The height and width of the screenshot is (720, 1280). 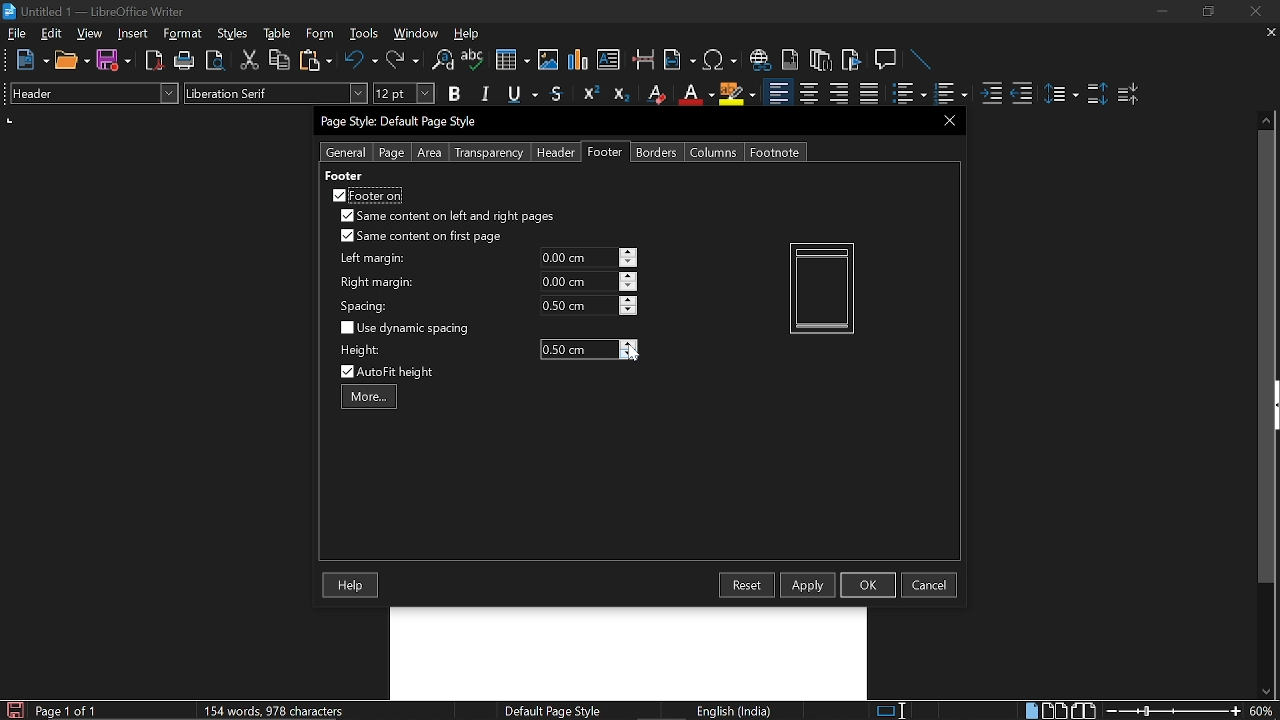 I want to click on Insert table, so click(x=511, y=61).